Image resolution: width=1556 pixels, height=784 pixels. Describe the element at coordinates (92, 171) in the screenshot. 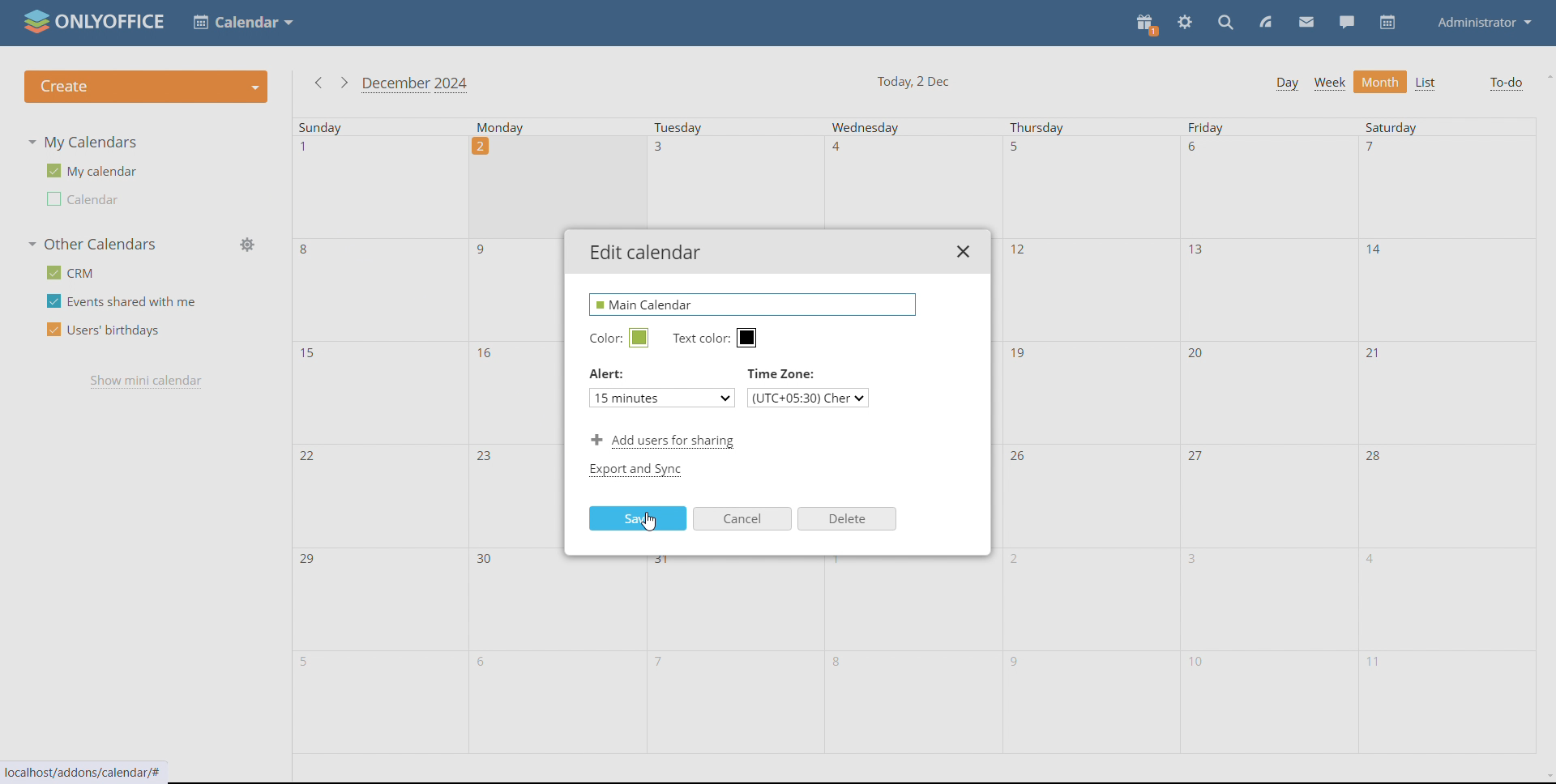

I see `my calendar` at that location.